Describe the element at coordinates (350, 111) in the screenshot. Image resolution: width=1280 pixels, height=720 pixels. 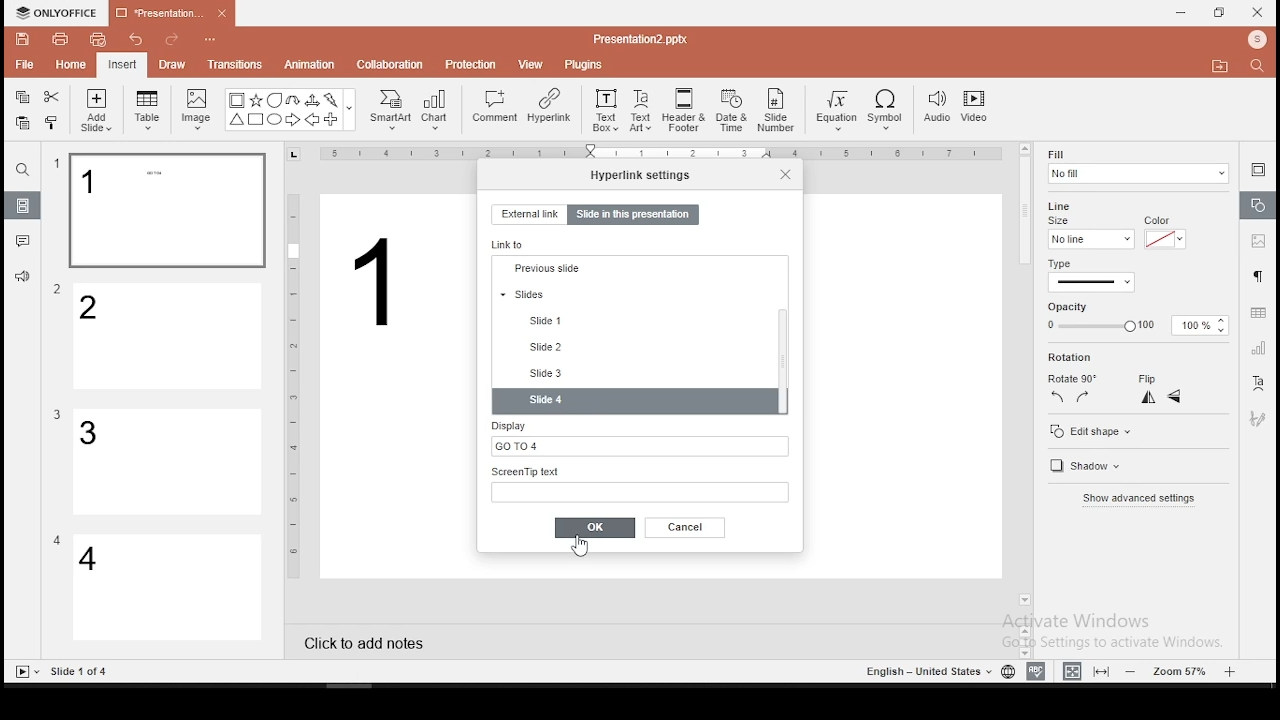
I see `` at that location.